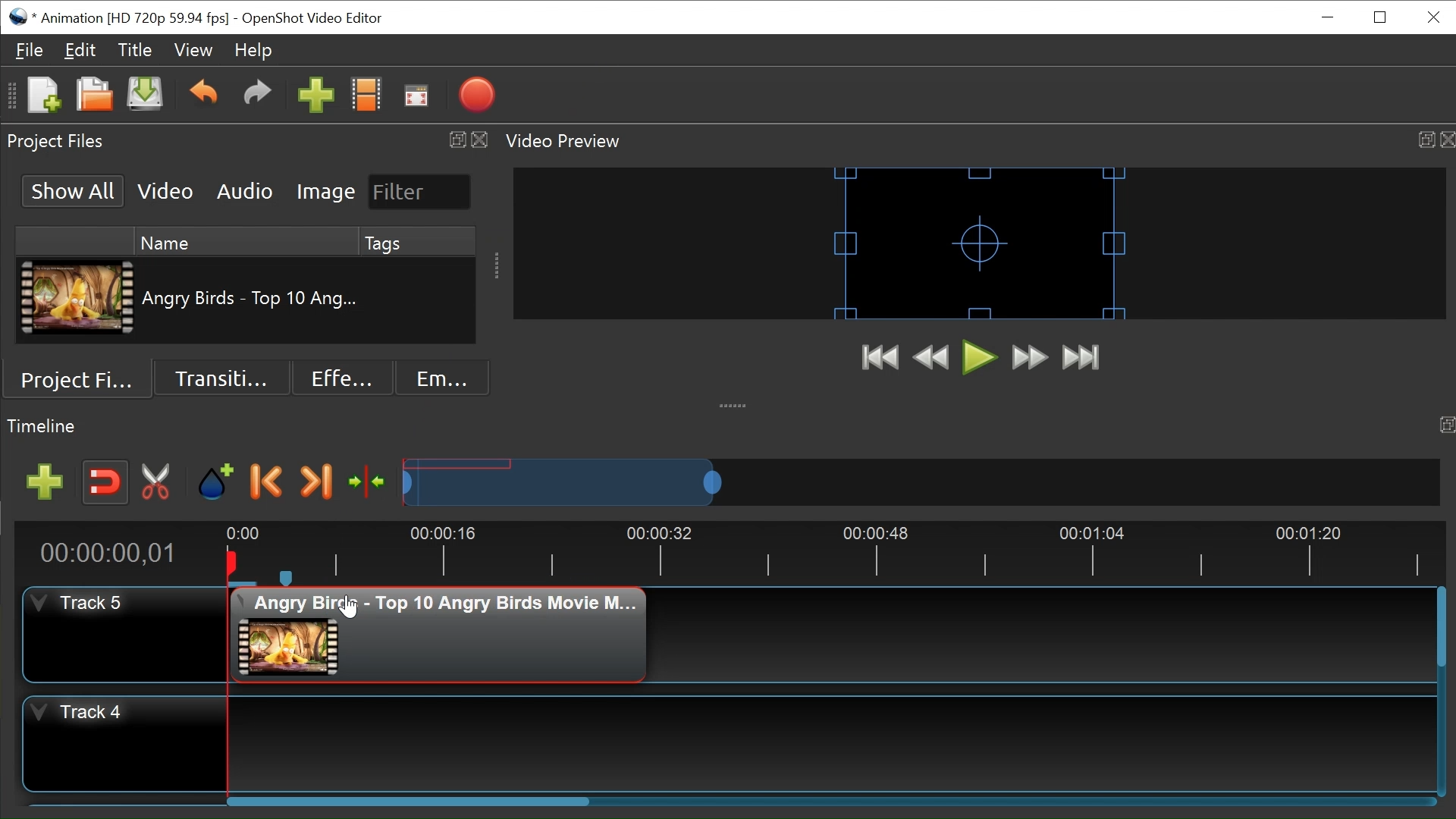 This screenshot has width=1456, height=819. I want to click on Import Files, so click(315, 99).